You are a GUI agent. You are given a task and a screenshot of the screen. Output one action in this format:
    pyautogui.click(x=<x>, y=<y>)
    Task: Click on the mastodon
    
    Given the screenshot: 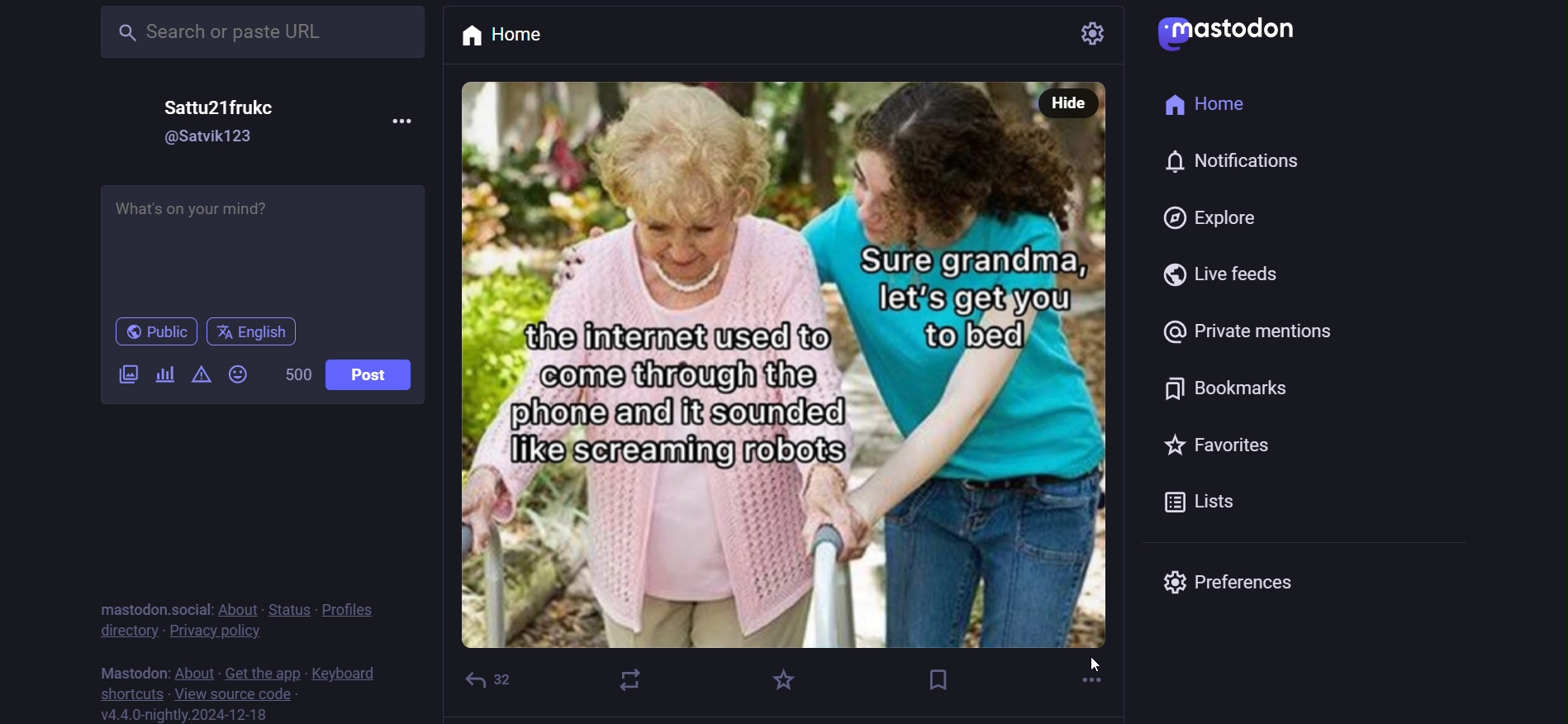 What is the action you would take?
    pyautogui.click(x=136, y=672)
    